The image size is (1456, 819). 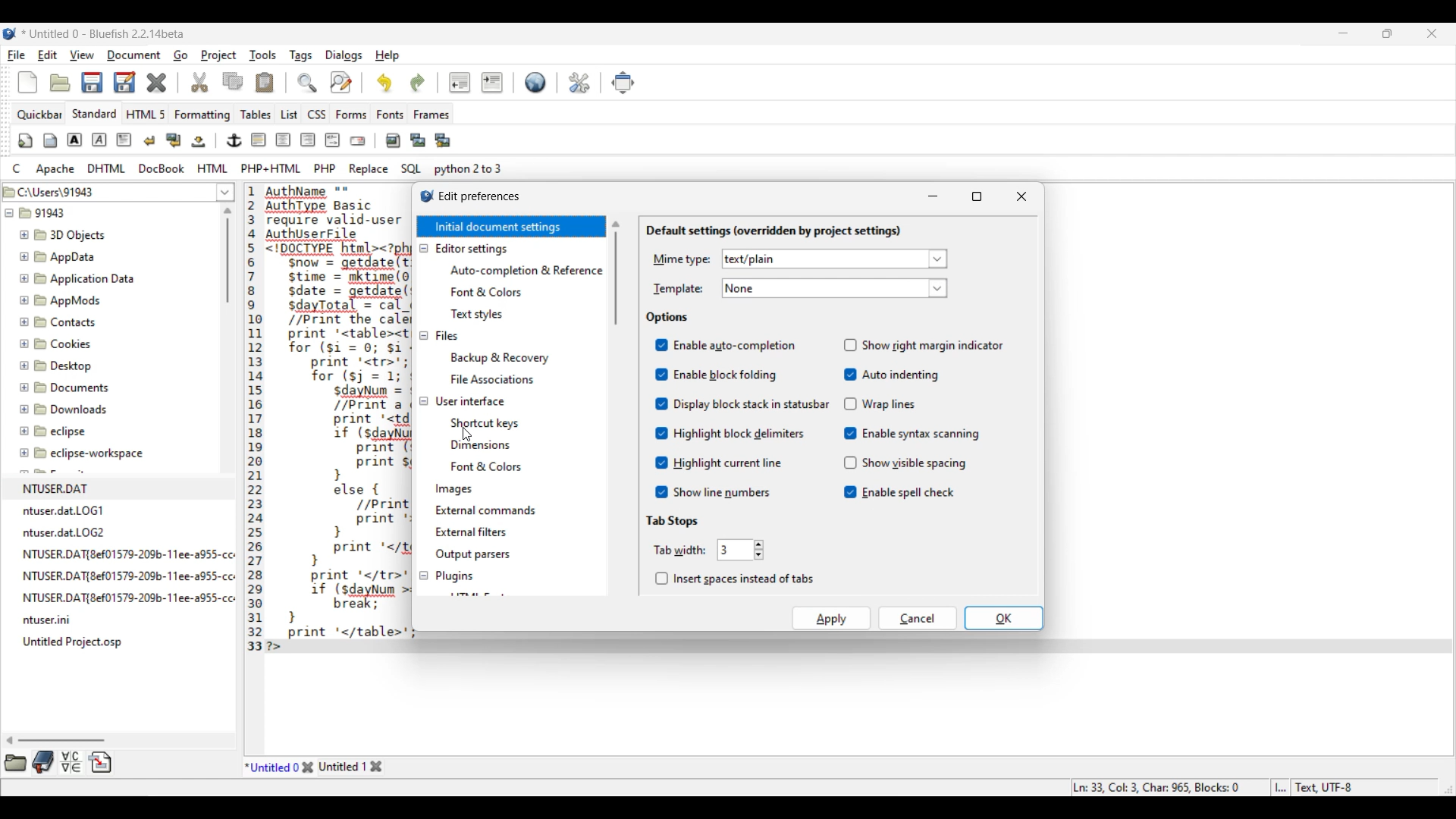 What do you see at coordinates (390, 115) in the screenshot?
I see `Fonts` at bounding box center [390, 115].